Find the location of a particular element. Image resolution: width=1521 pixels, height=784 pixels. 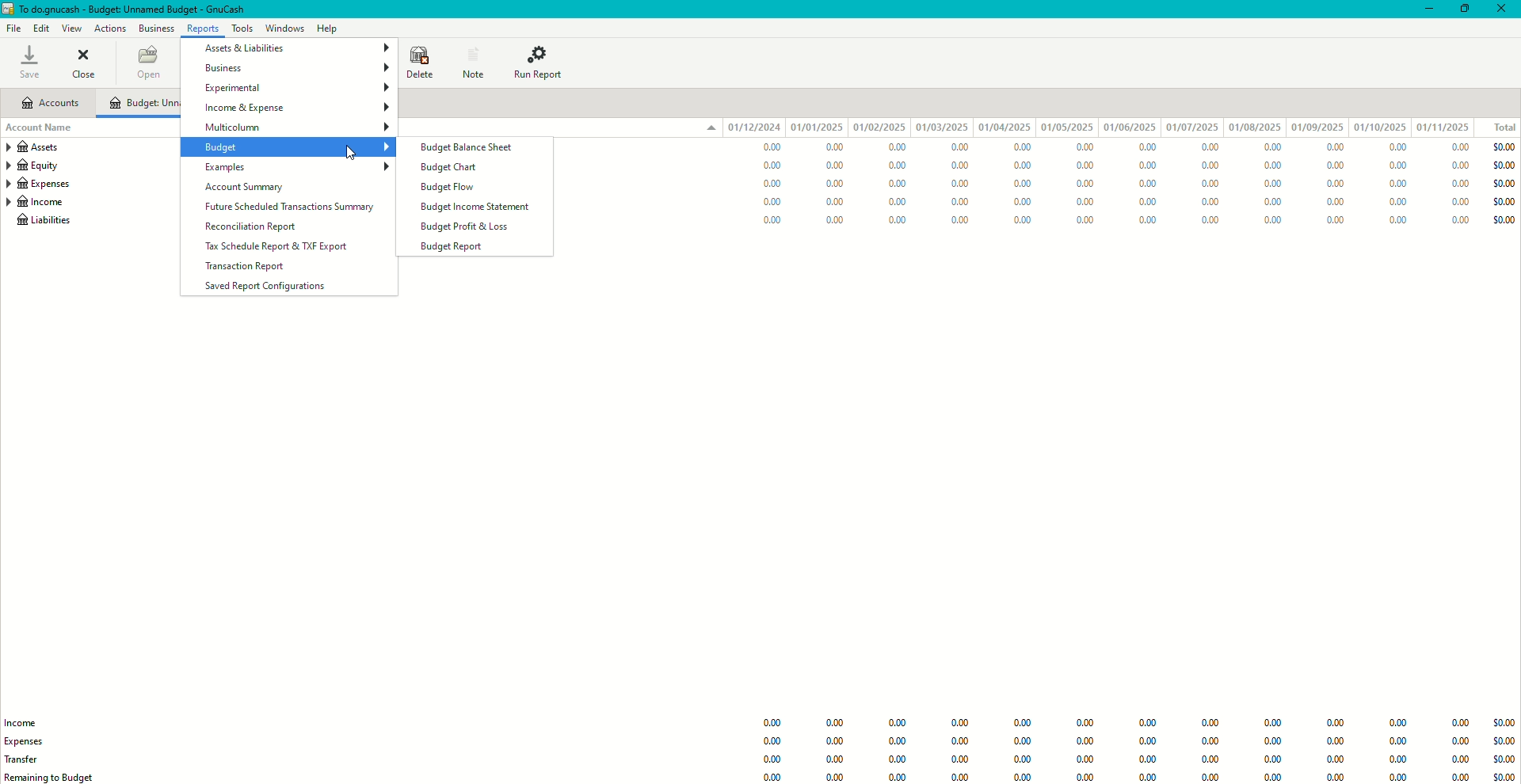

Close is located at coordinates (1504, 10).